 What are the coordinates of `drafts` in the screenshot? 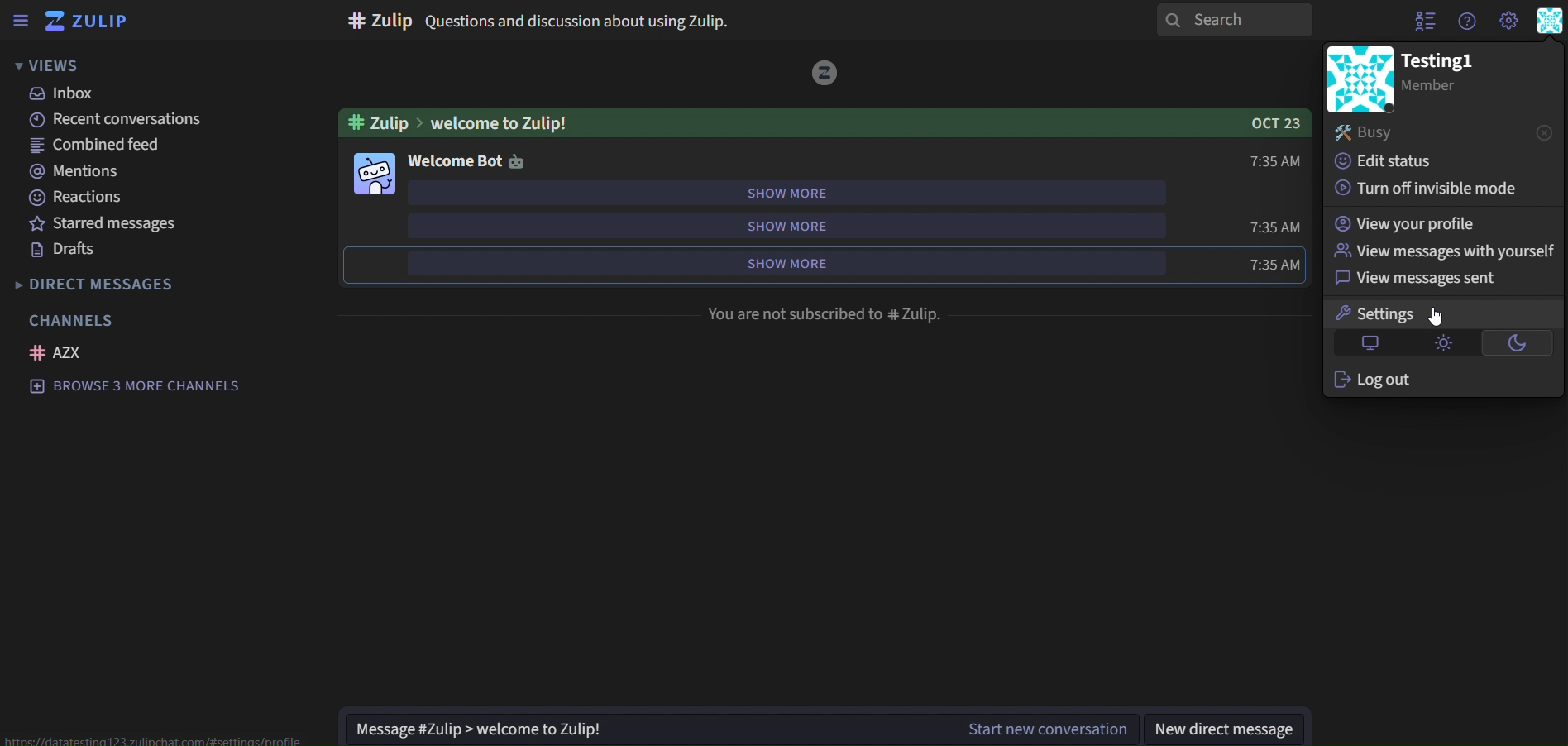 It's located at (64, 250).